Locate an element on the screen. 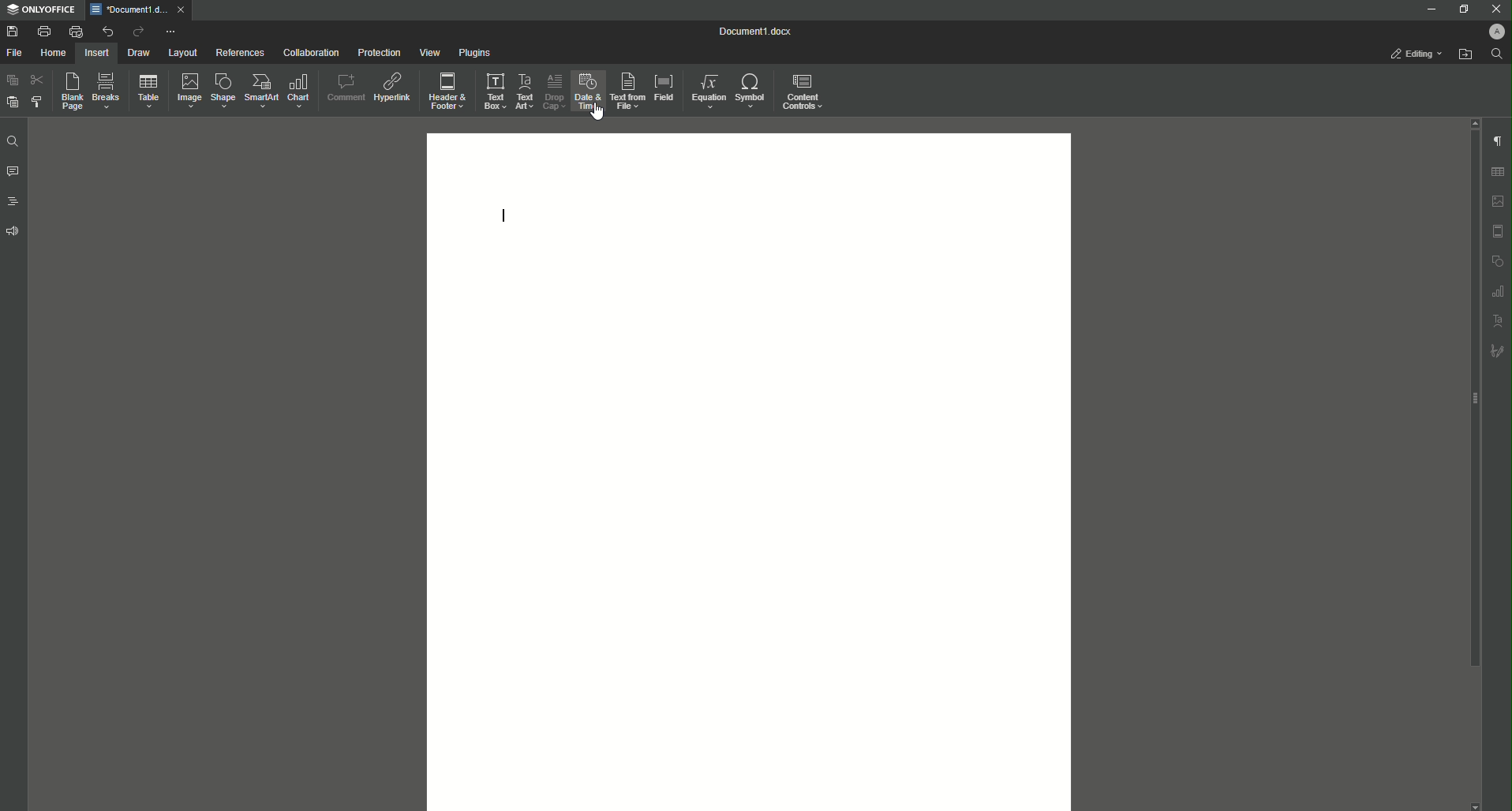 The height and width of the screenshot is (811, 1512). Table is located at coordinates (145, 91).